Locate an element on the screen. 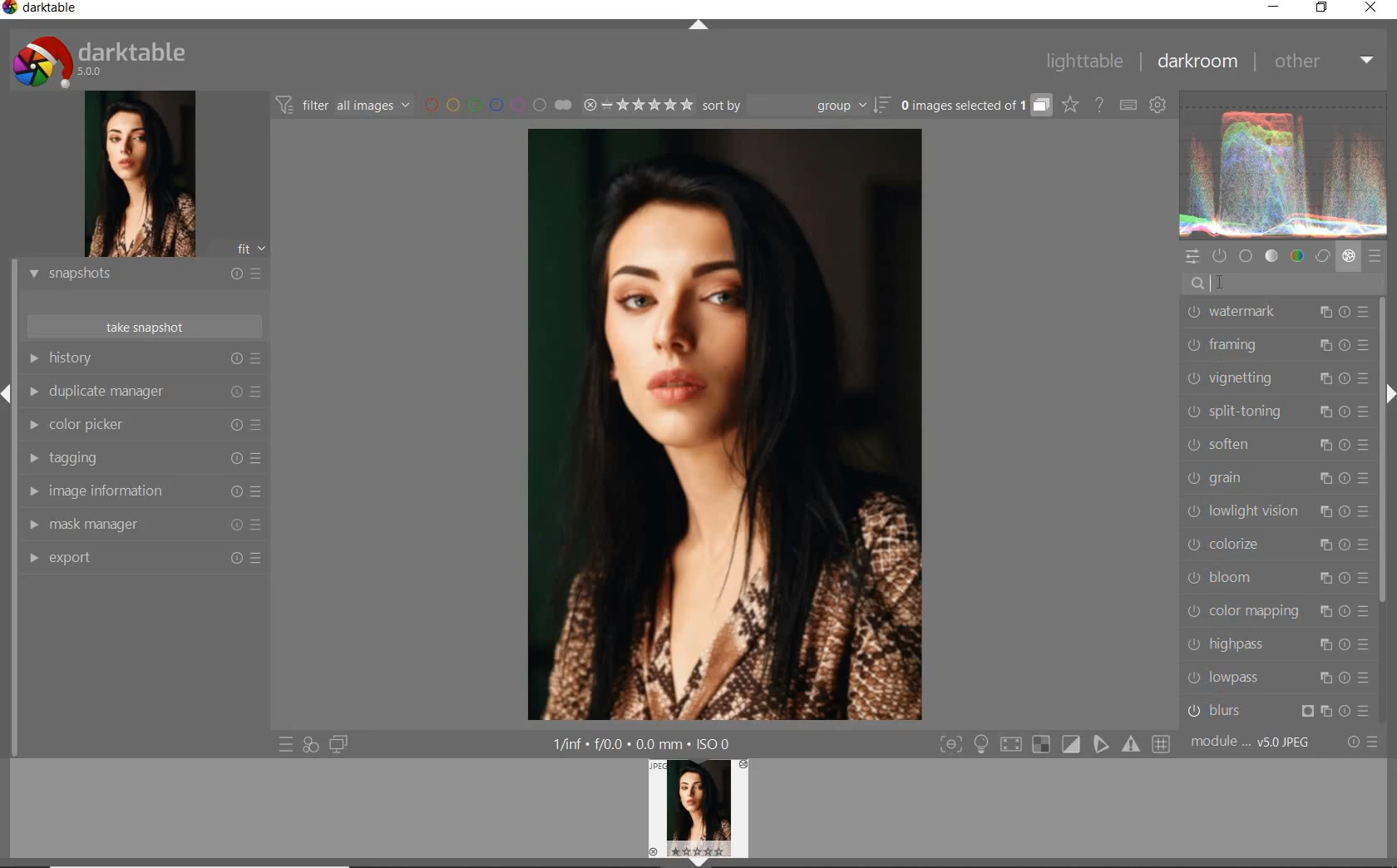 The height and width of the screenshot is (868, 1397). set keyboard shortcuts is located at coordinates (1129, 106).